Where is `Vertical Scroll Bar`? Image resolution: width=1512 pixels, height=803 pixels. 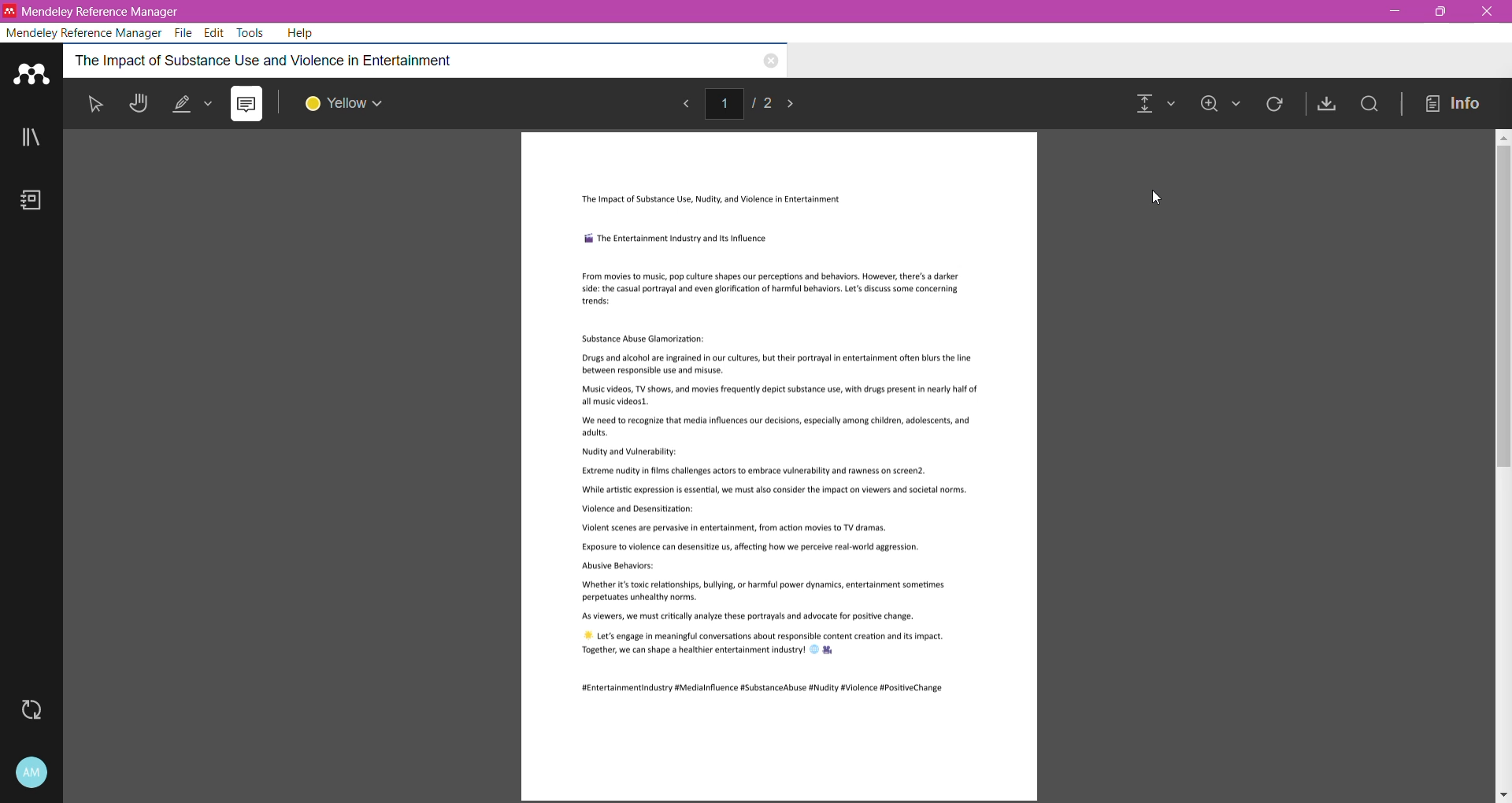 Vertical Scroll Bar is located at coordinates (1503, 467).